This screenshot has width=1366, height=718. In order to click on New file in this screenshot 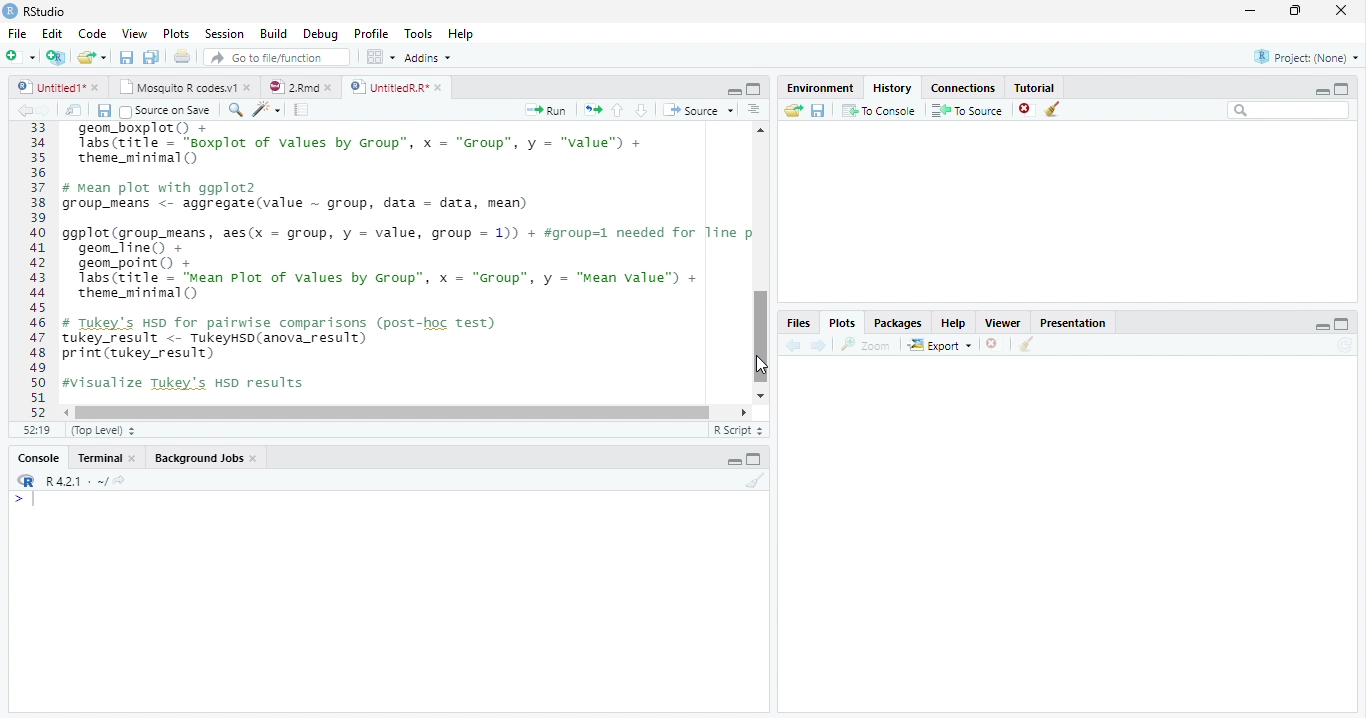, I will do `click(19, 56)`.